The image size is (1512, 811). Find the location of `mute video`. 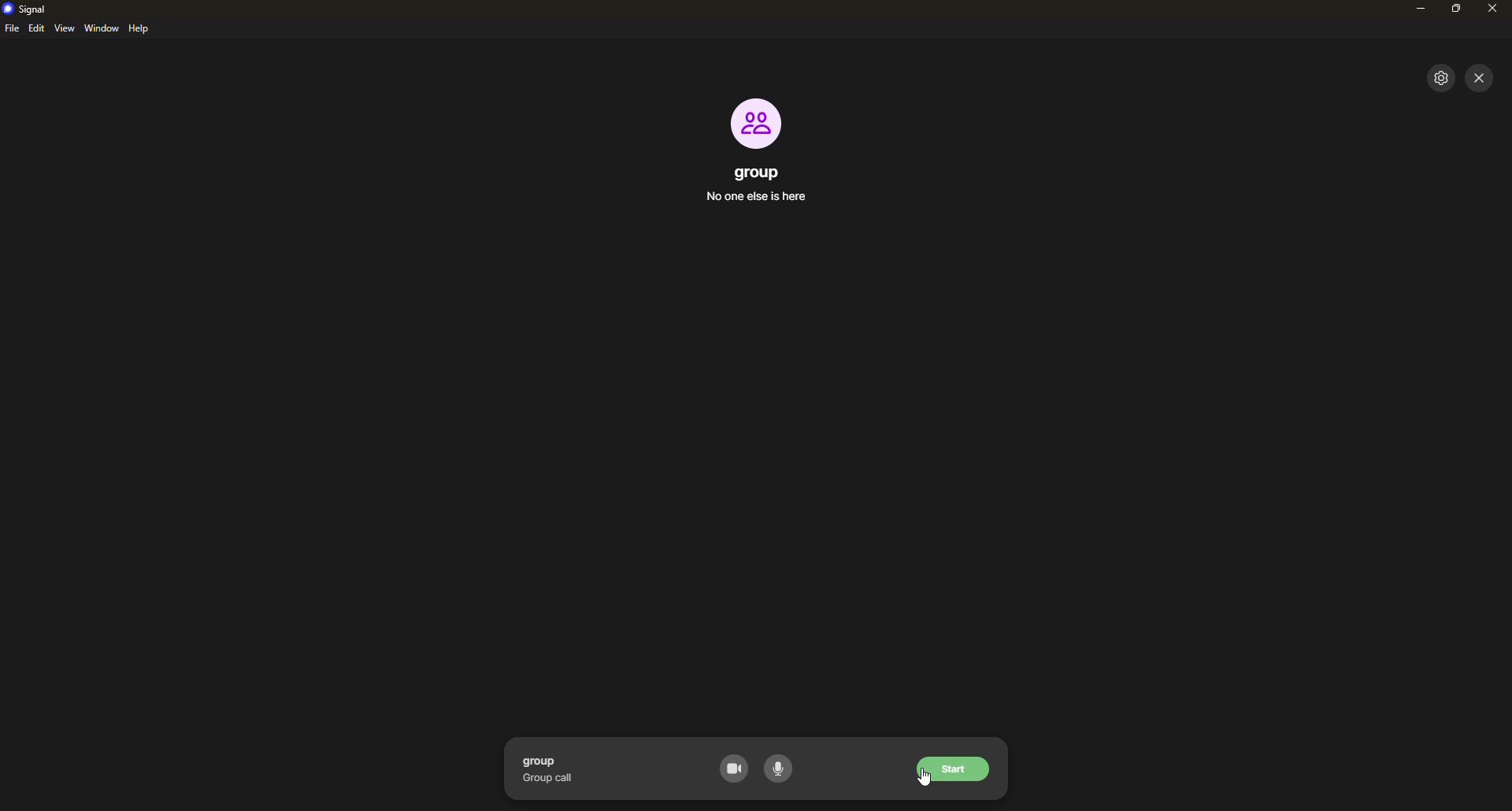

mute video is located at coordinates (734, 768).